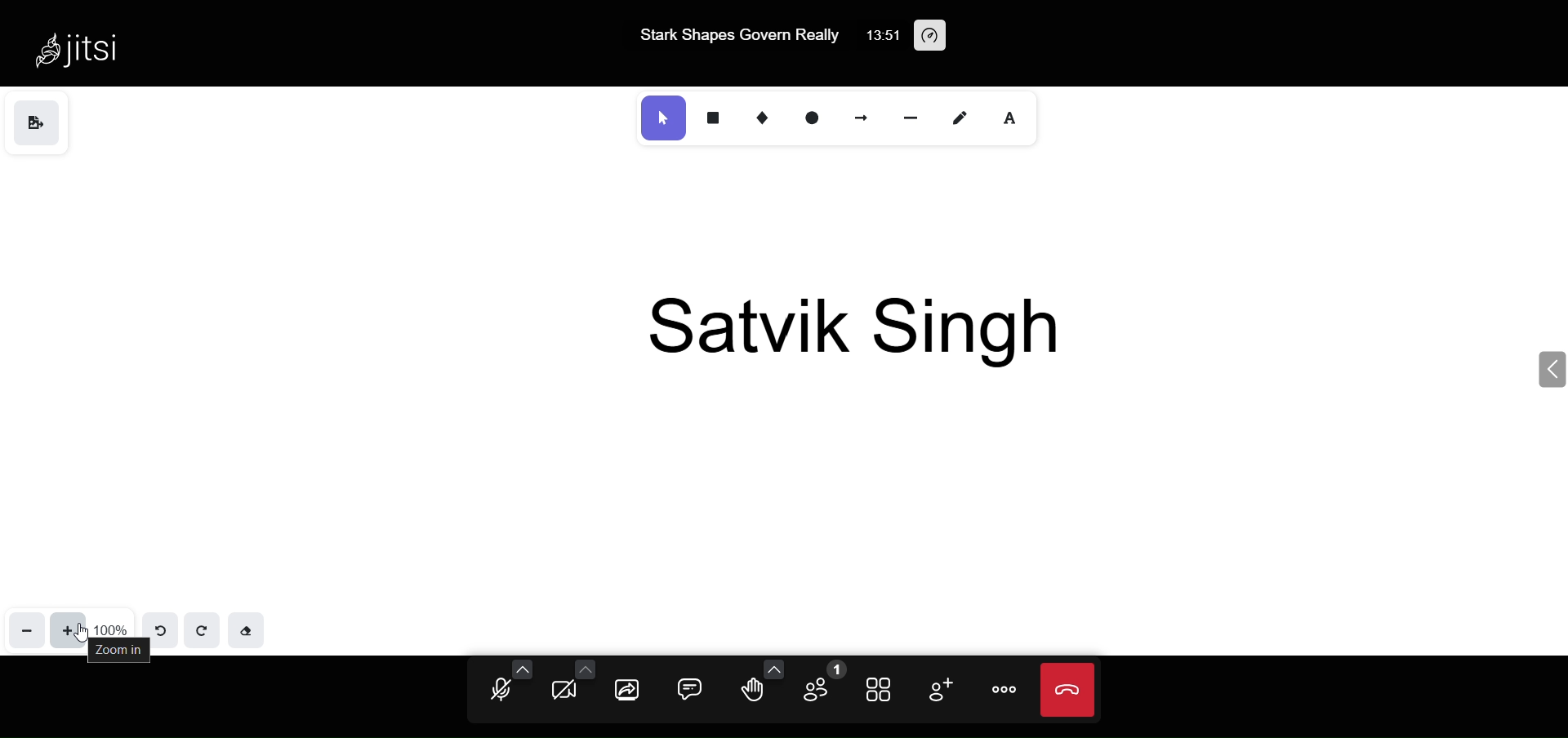  Describe the element at coordinates (498, 691) in the screenshot. I see `microphone` at that location.